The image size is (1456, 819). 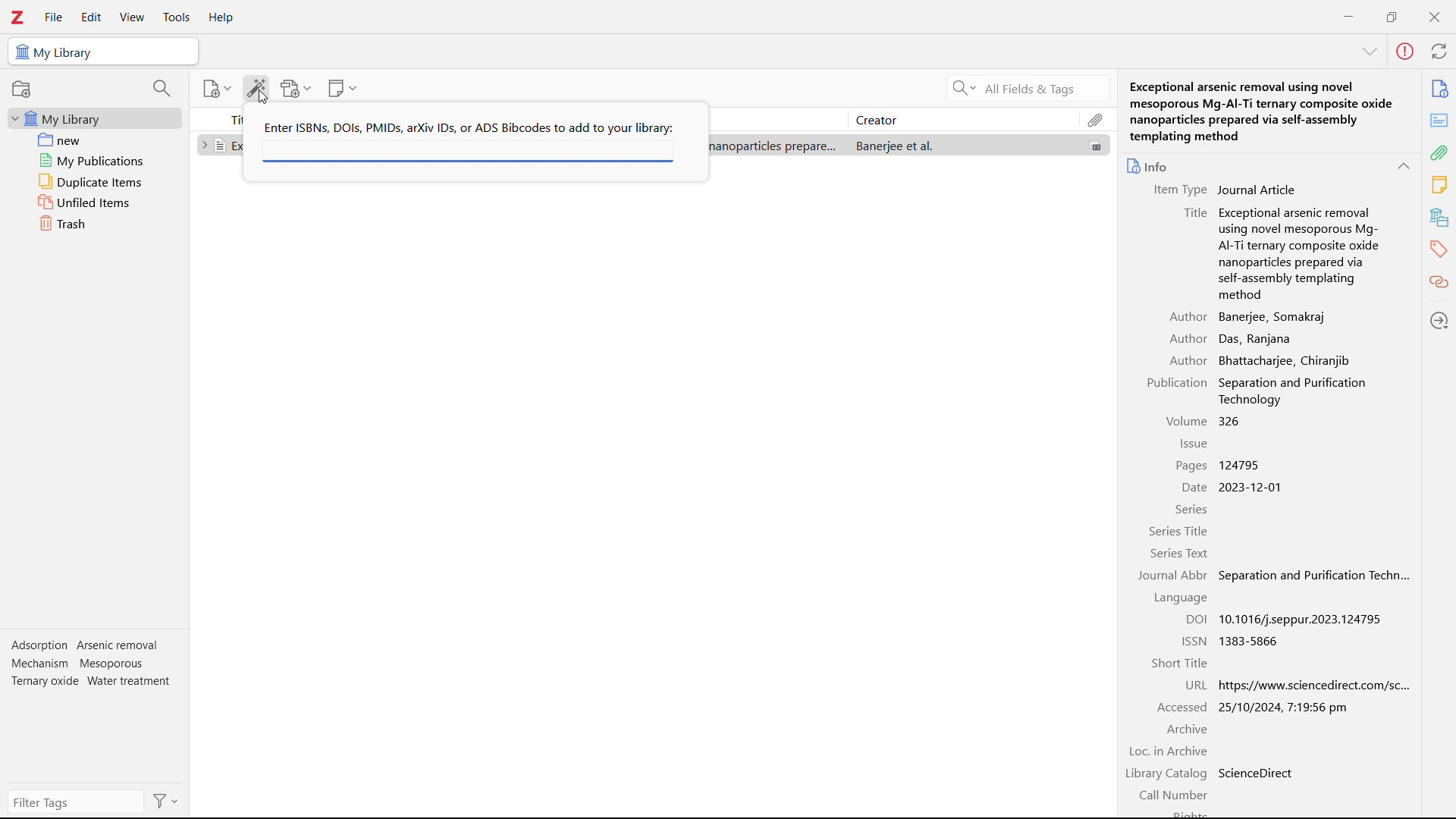 I want to click on Das, Ranjana, so click(x=1259, y=339).